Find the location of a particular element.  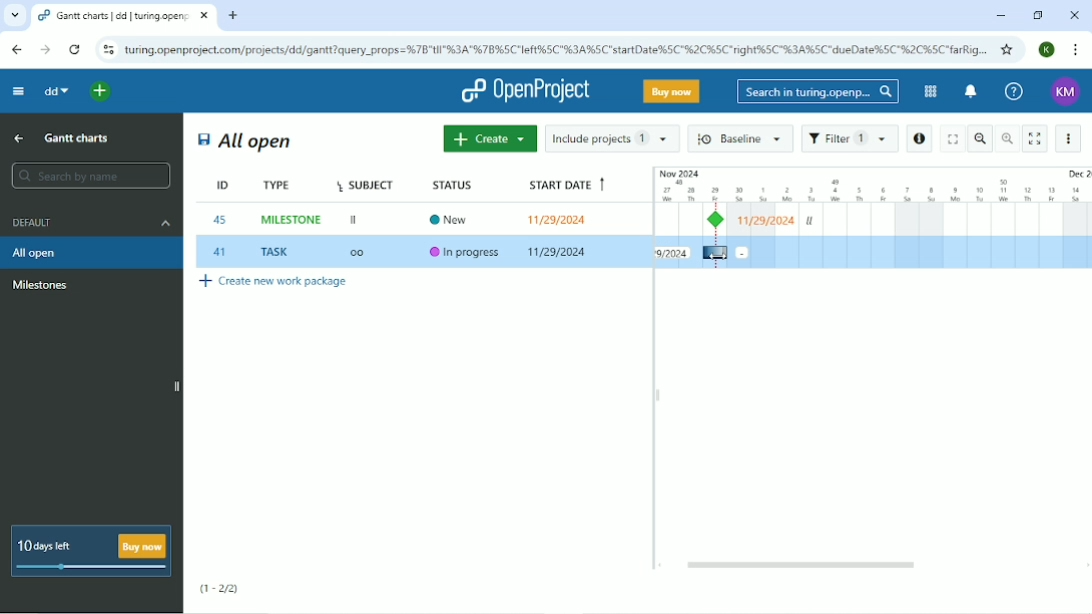

Account is located at coordinates (1067, 93).